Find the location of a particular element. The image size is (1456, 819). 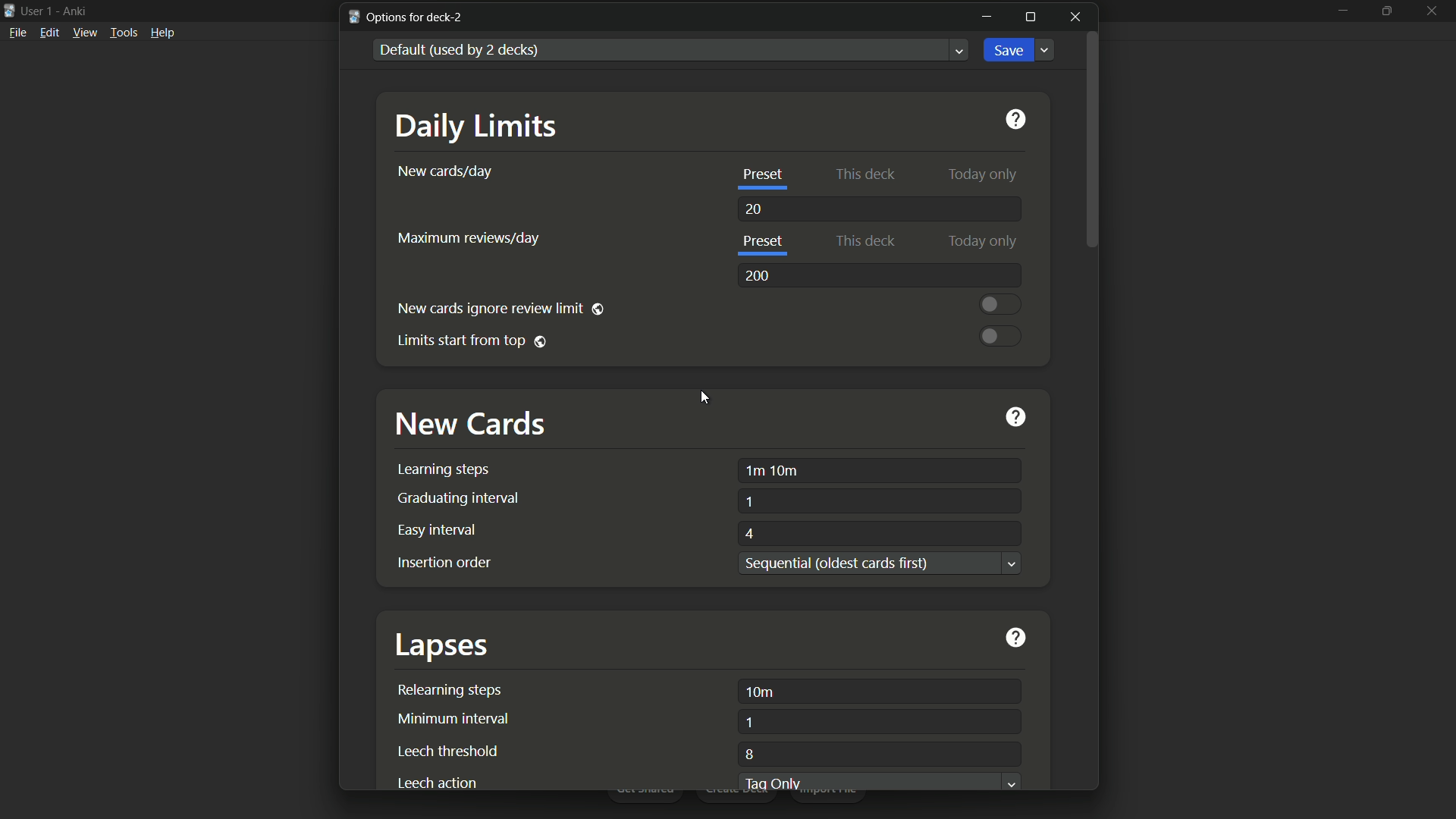

this deck is located at coordinates (862, 174).